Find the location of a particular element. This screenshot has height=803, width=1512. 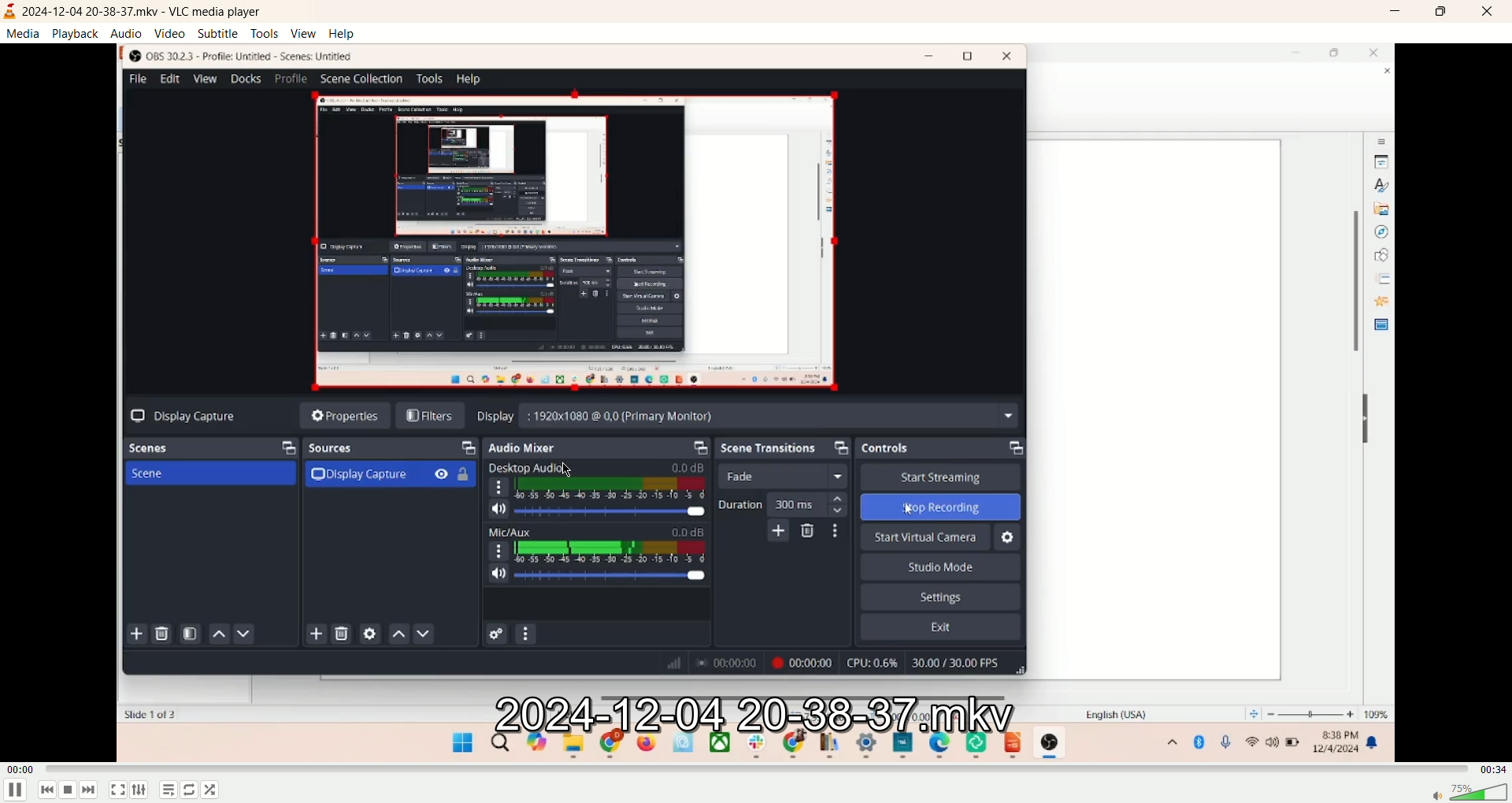

audio is located at coordinates (128, 33).